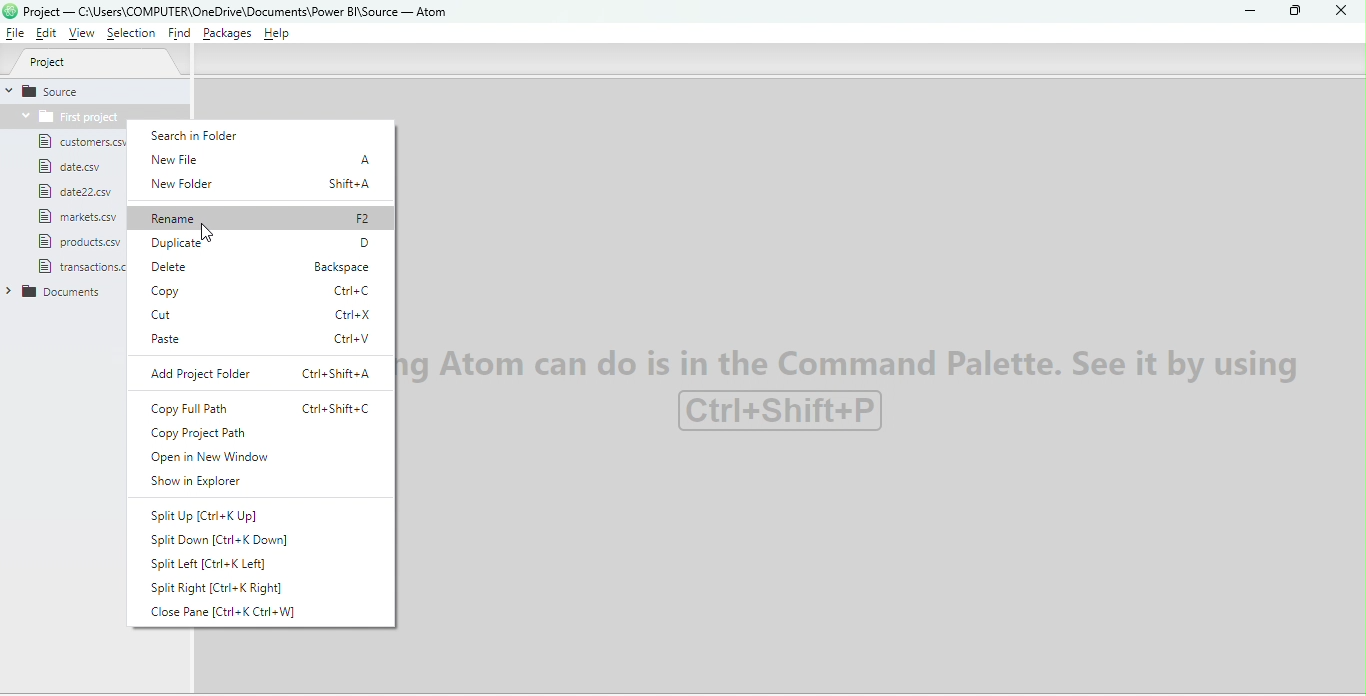 This screenshot has width=1366, height=696. Describe the element at coordinates (49, 35) in the screenshot. I see `Edit` at that location.